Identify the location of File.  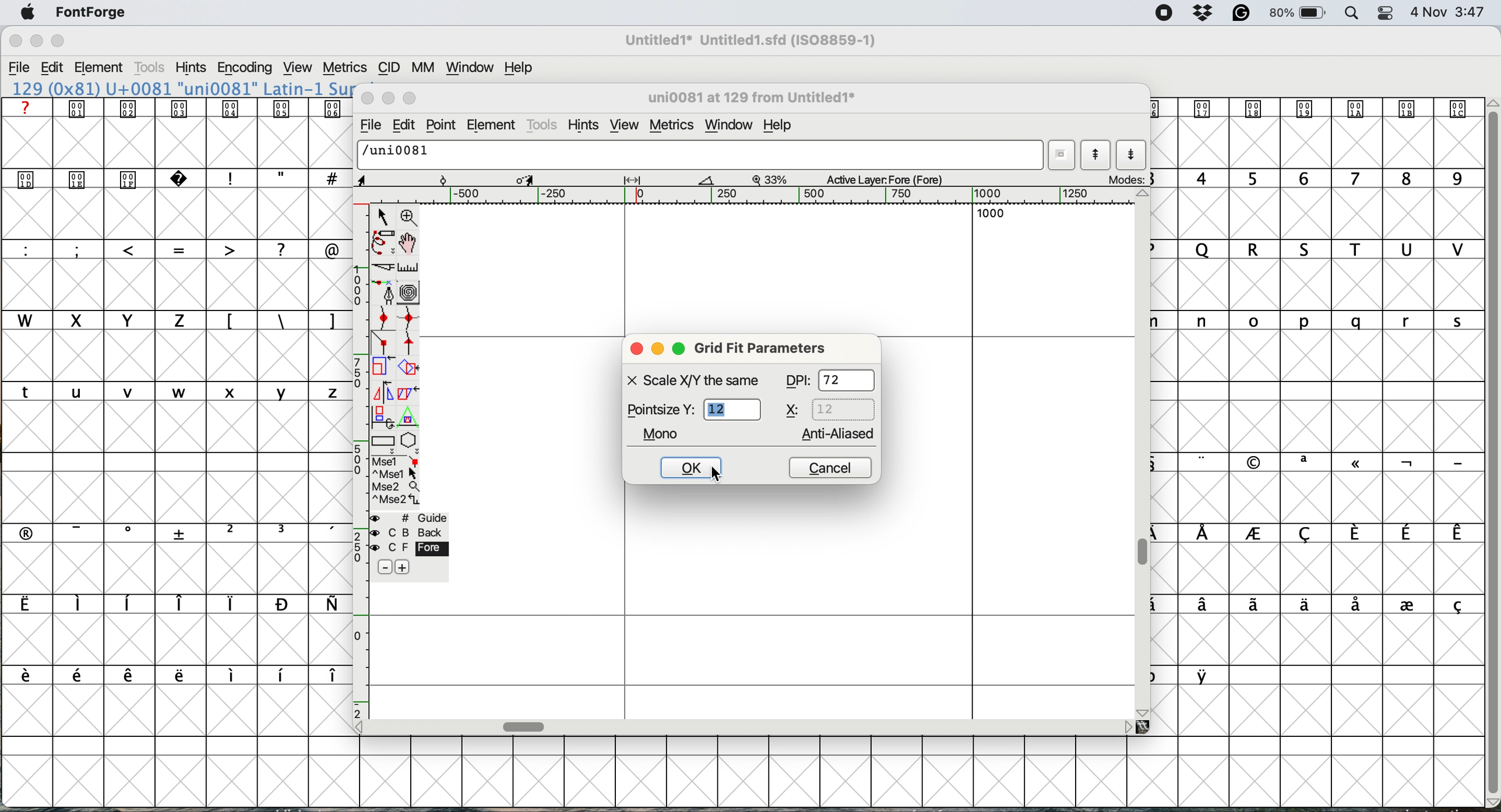
(19, 68).